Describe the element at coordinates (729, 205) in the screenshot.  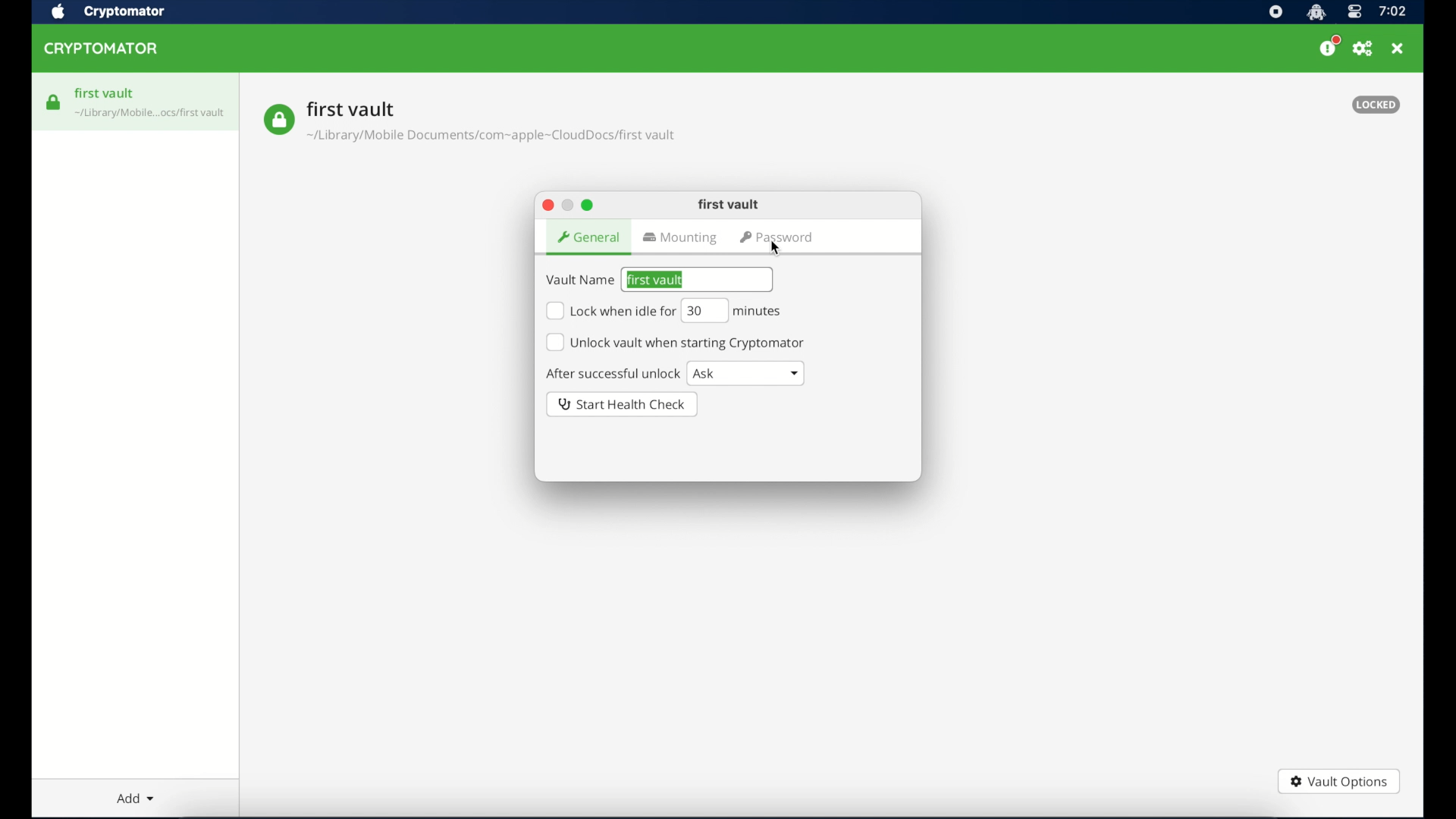
I see `first vault` at that location.